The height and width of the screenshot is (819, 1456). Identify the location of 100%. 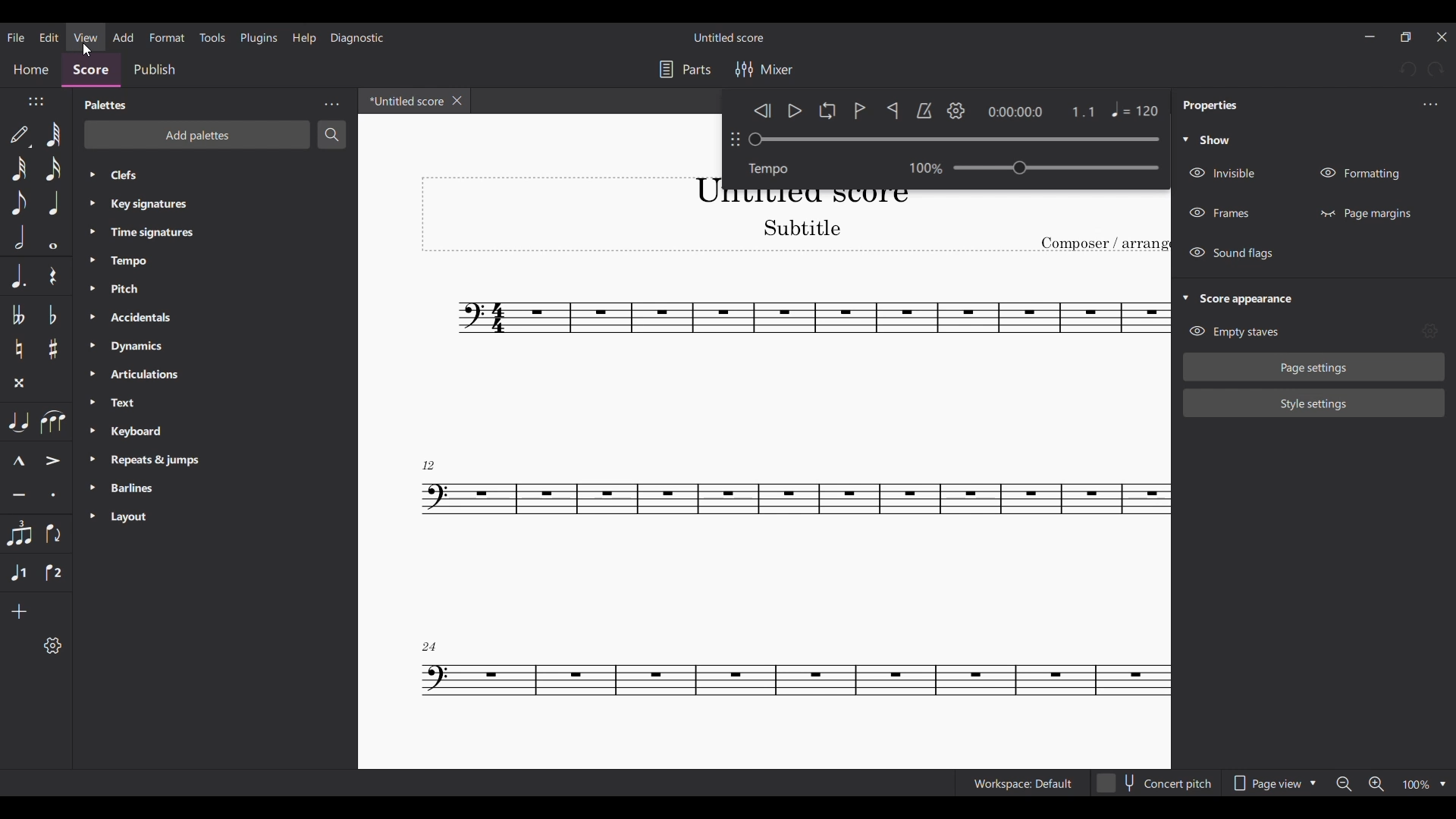
(918, 166).